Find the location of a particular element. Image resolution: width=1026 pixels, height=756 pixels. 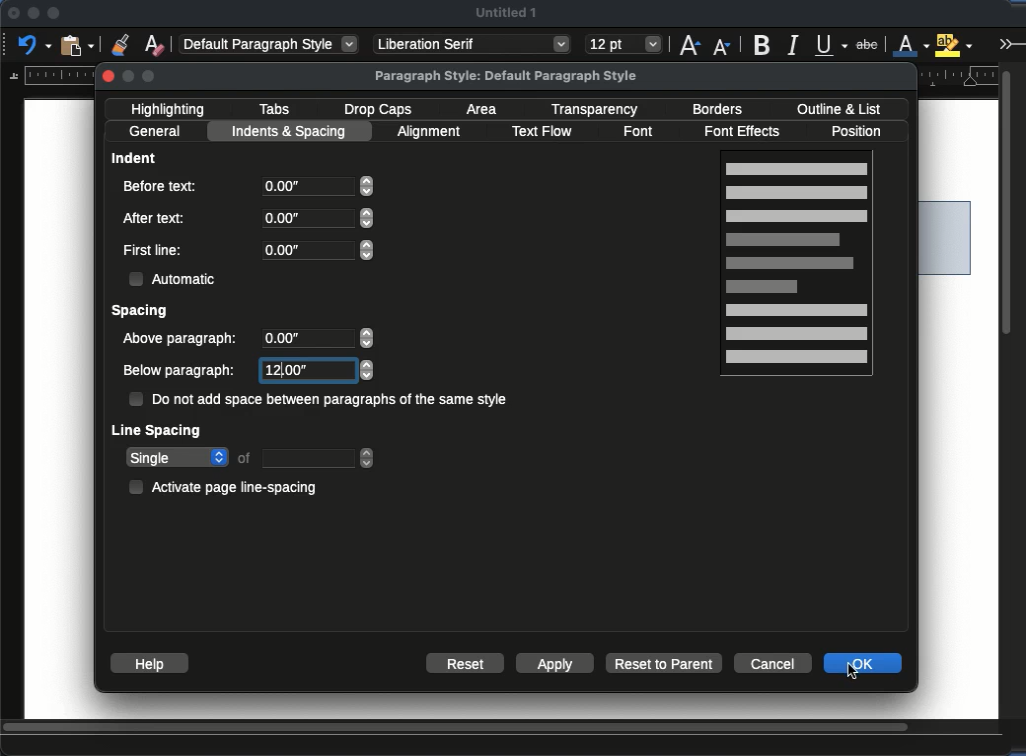

font effects is located at coordinates (748, 132).